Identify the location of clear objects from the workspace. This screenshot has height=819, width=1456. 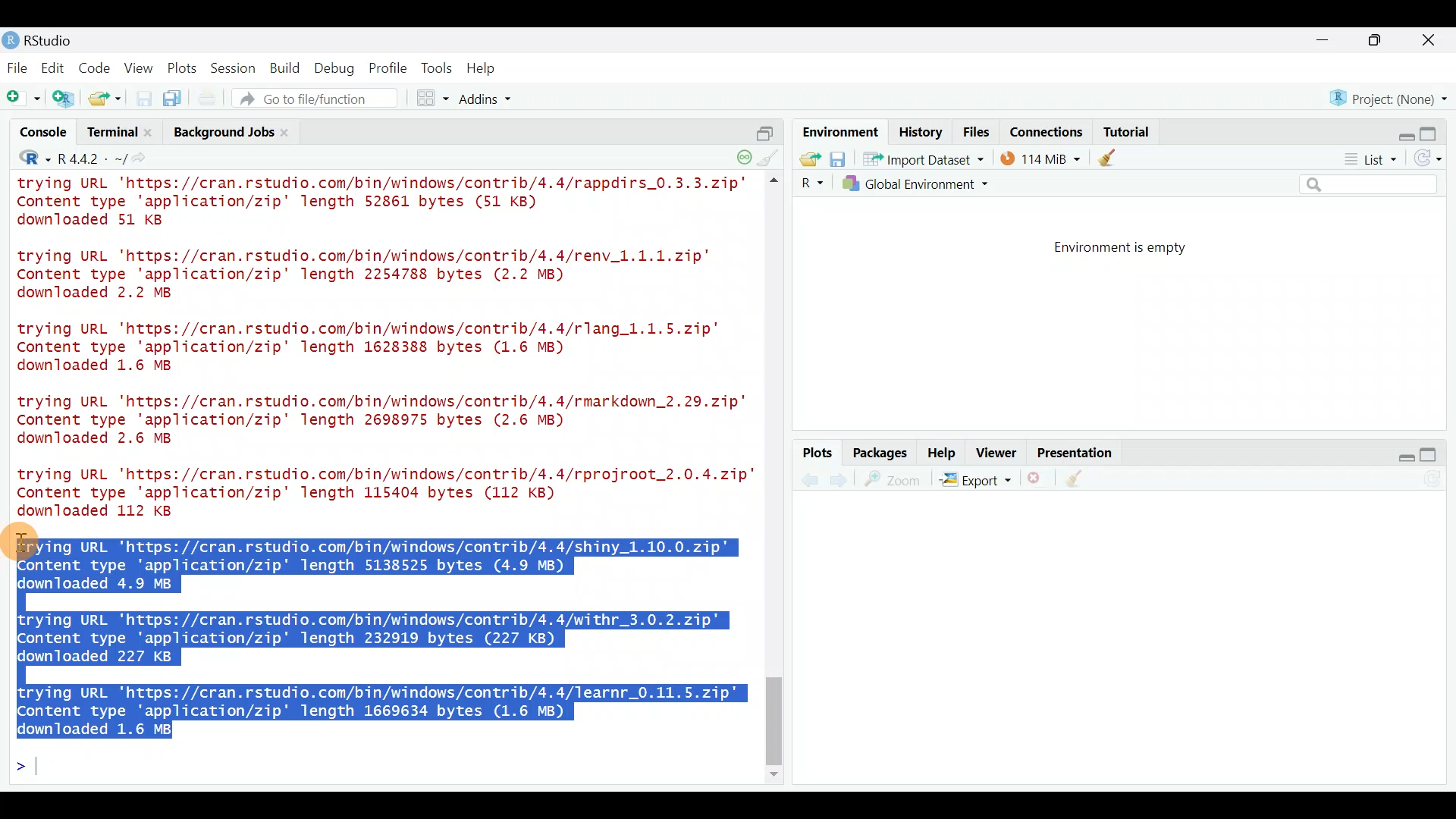
(1109, 157).